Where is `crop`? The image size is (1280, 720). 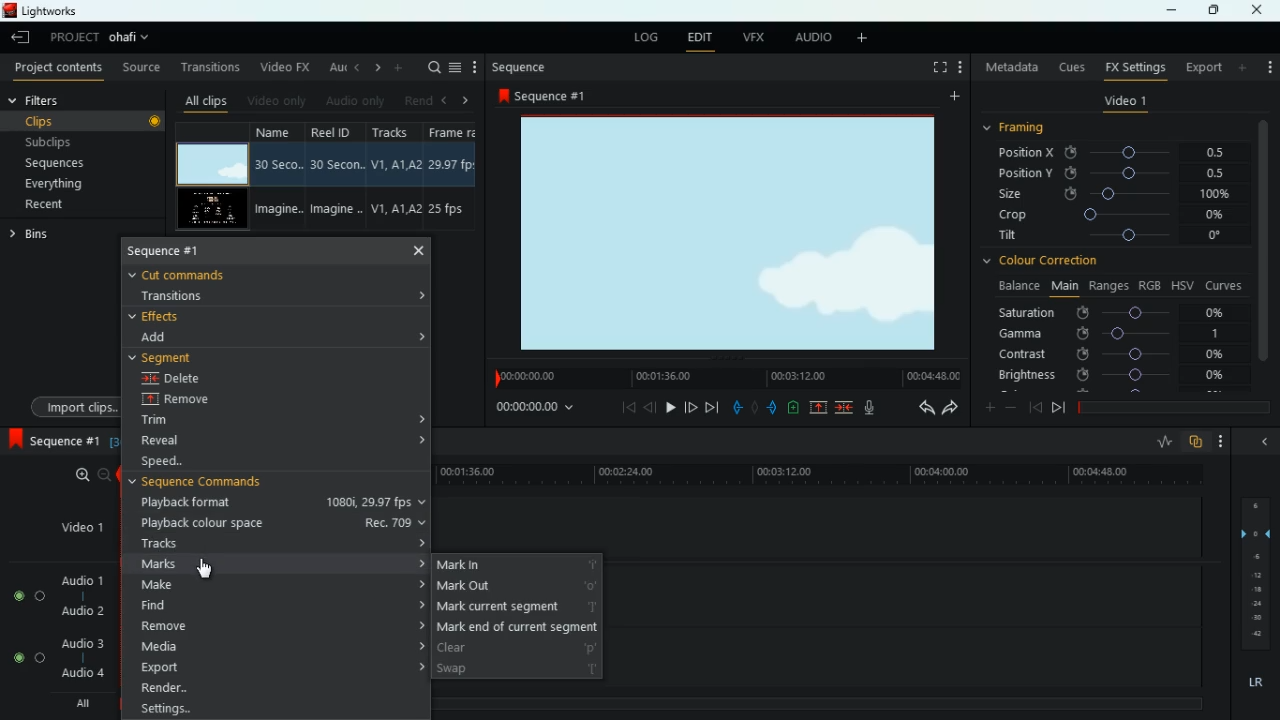 crop is located at coordinates (1109, 215).